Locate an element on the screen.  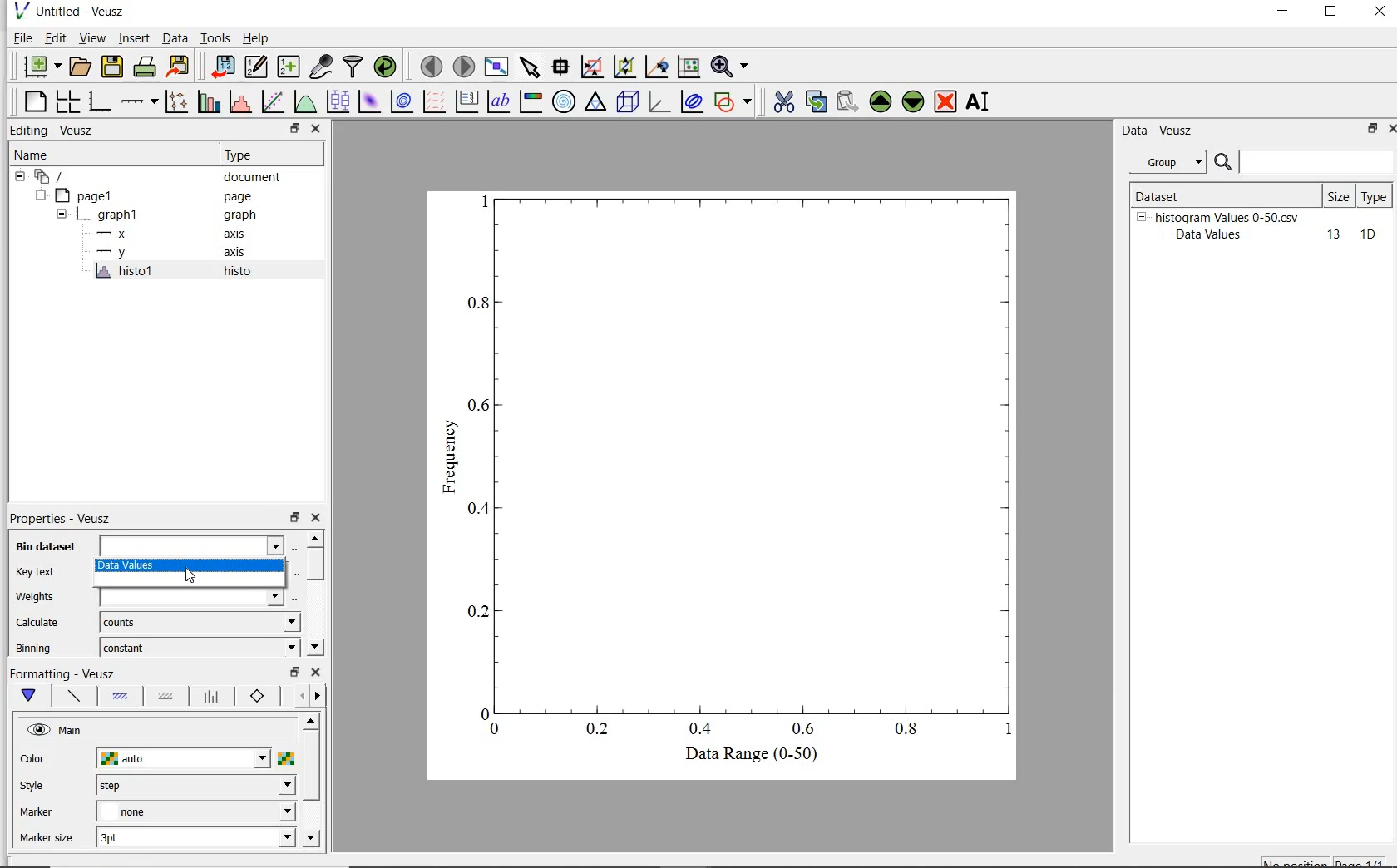
move up the selected widget is located at coordinates (879, 102).